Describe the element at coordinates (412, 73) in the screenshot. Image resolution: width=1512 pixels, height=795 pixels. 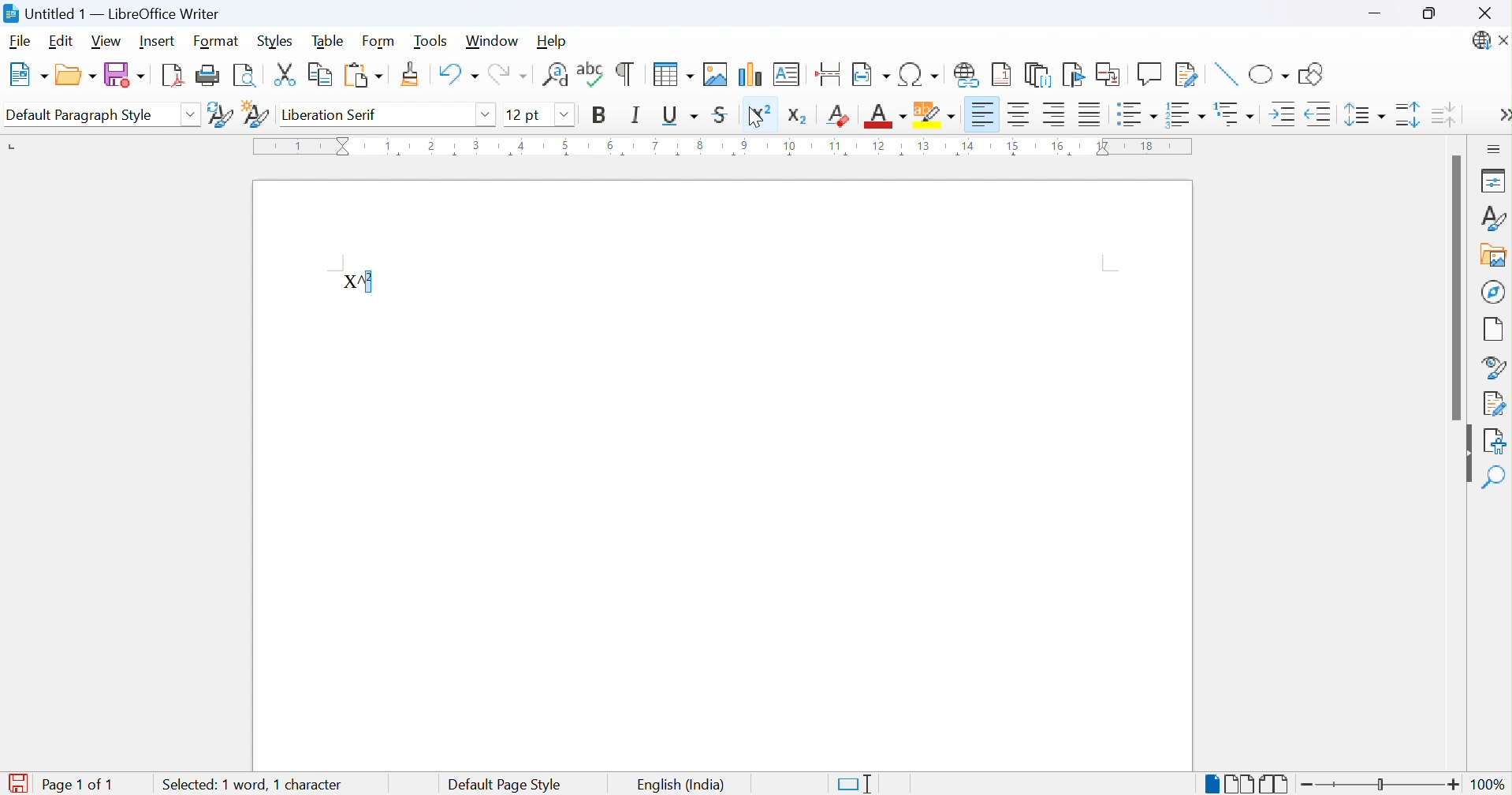
I see `Clone formatting` at that location.